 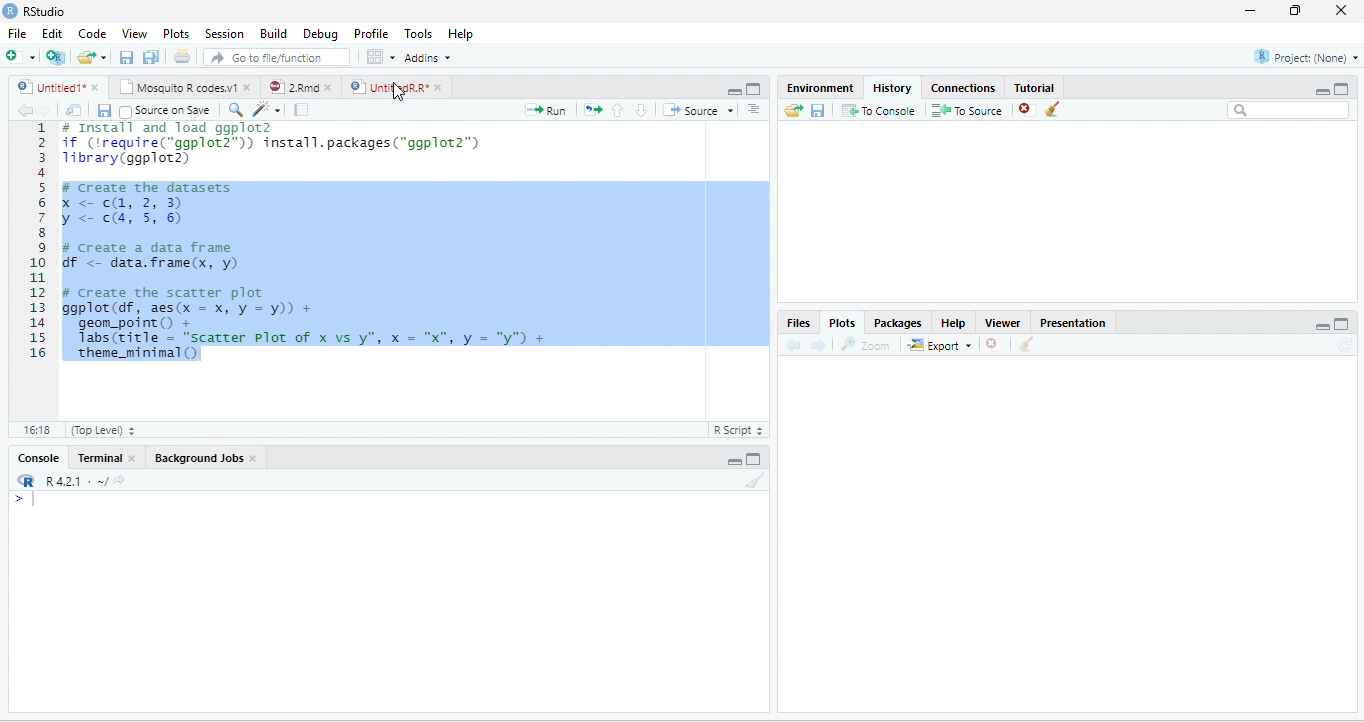 What do you see at coordinates (176, 87) in the screenshot?
I see `Mosquito R codes.v1` at bounding box center [176, 87].